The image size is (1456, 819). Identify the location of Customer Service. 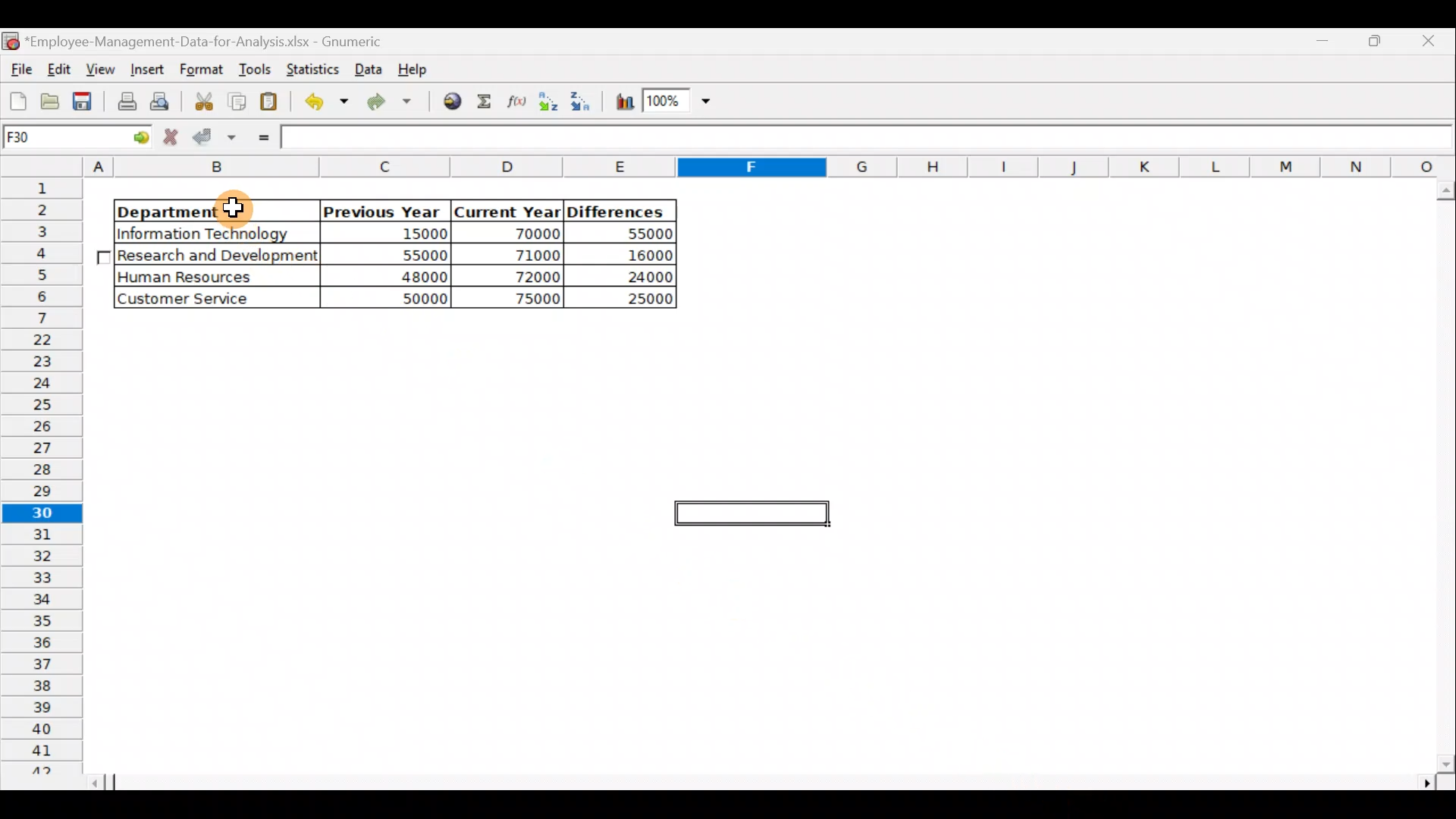
(201, 299).